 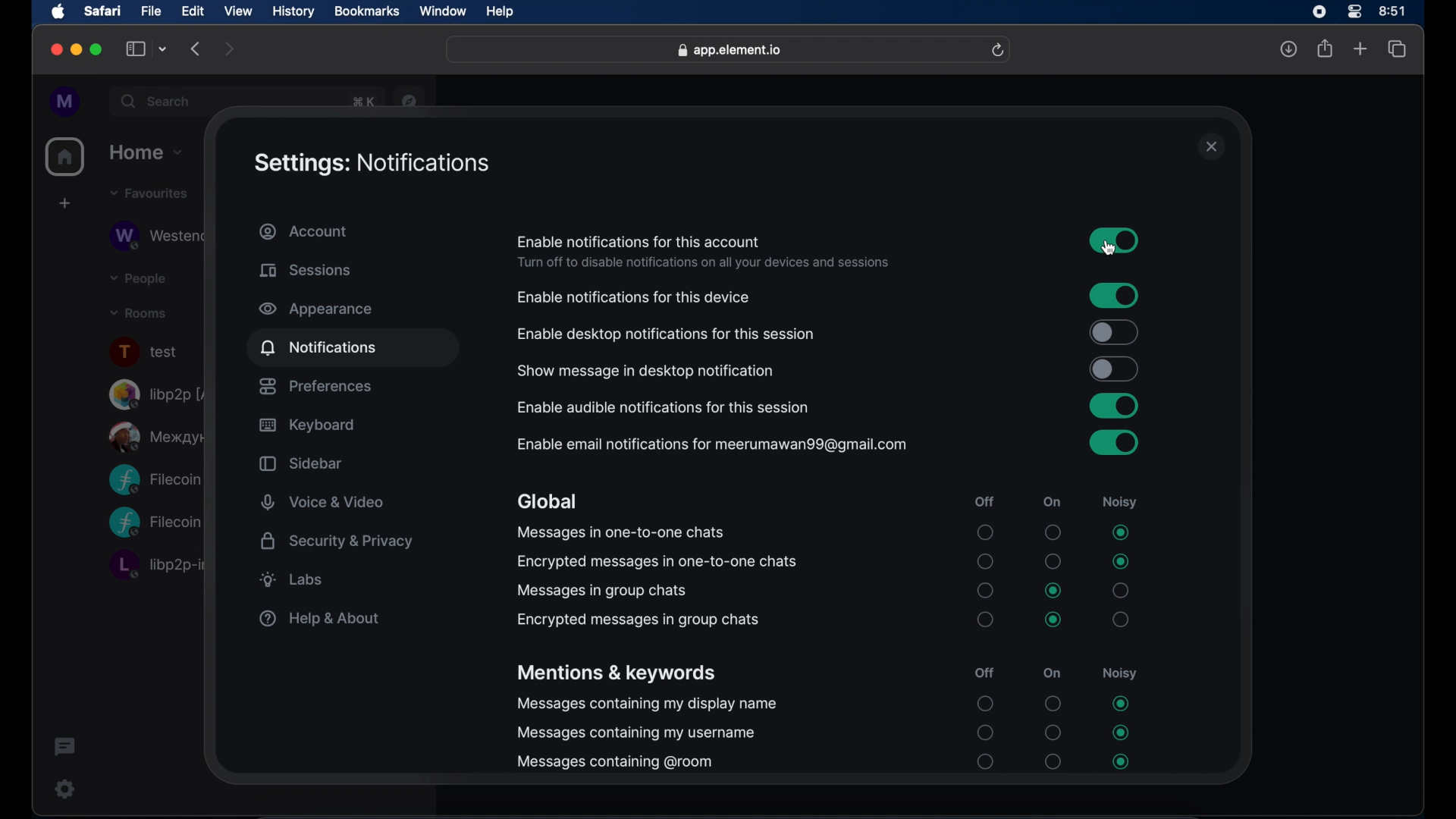 I want to click on notifications, so click(x=321, y=348).